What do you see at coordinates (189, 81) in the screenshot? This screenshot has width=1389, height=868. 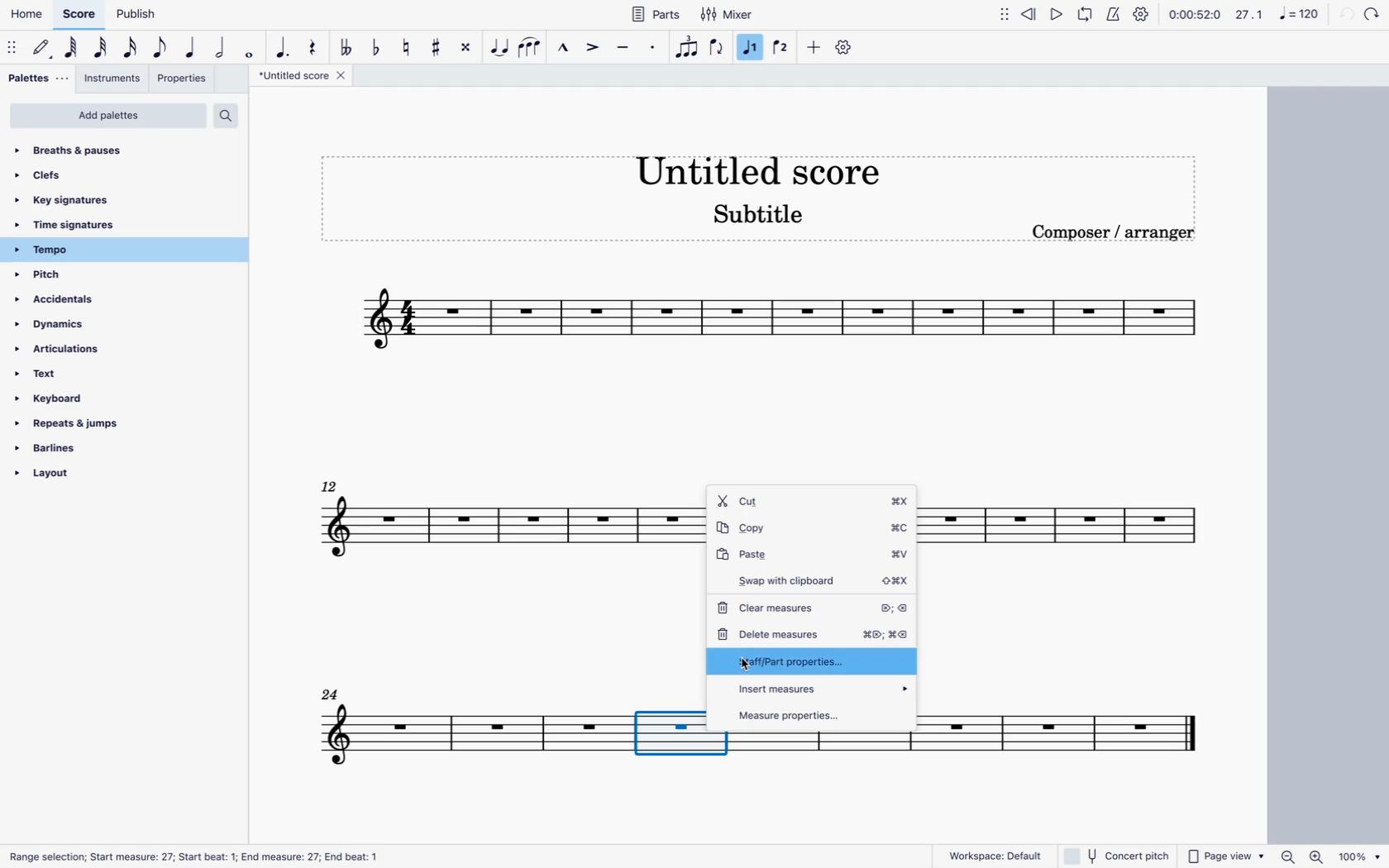 I see `properties` at bounding box center [189, 81].